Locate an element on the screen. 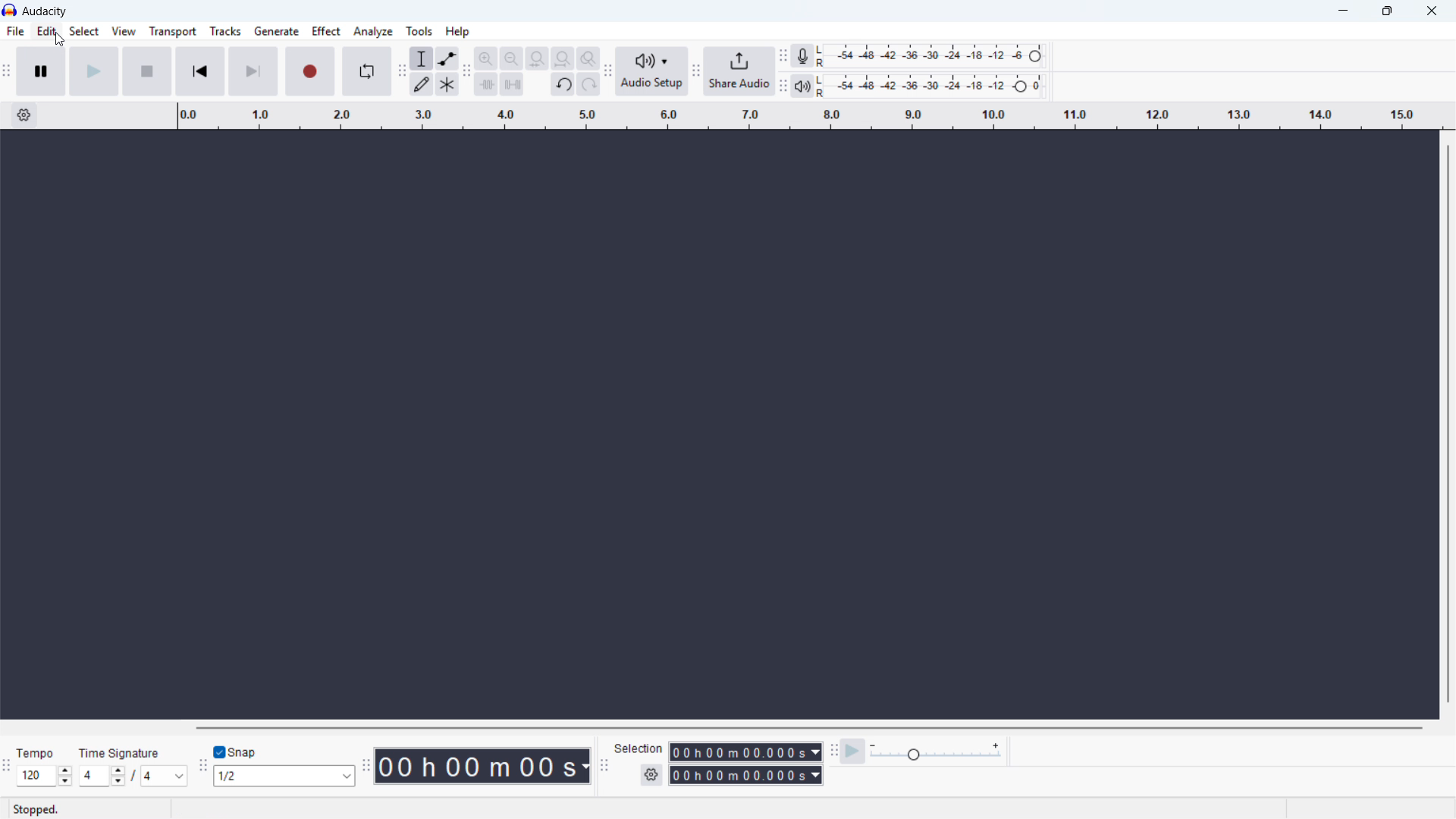 This screenshot has width=1456, height=819. set tempo is located at coordinates (44, 766).